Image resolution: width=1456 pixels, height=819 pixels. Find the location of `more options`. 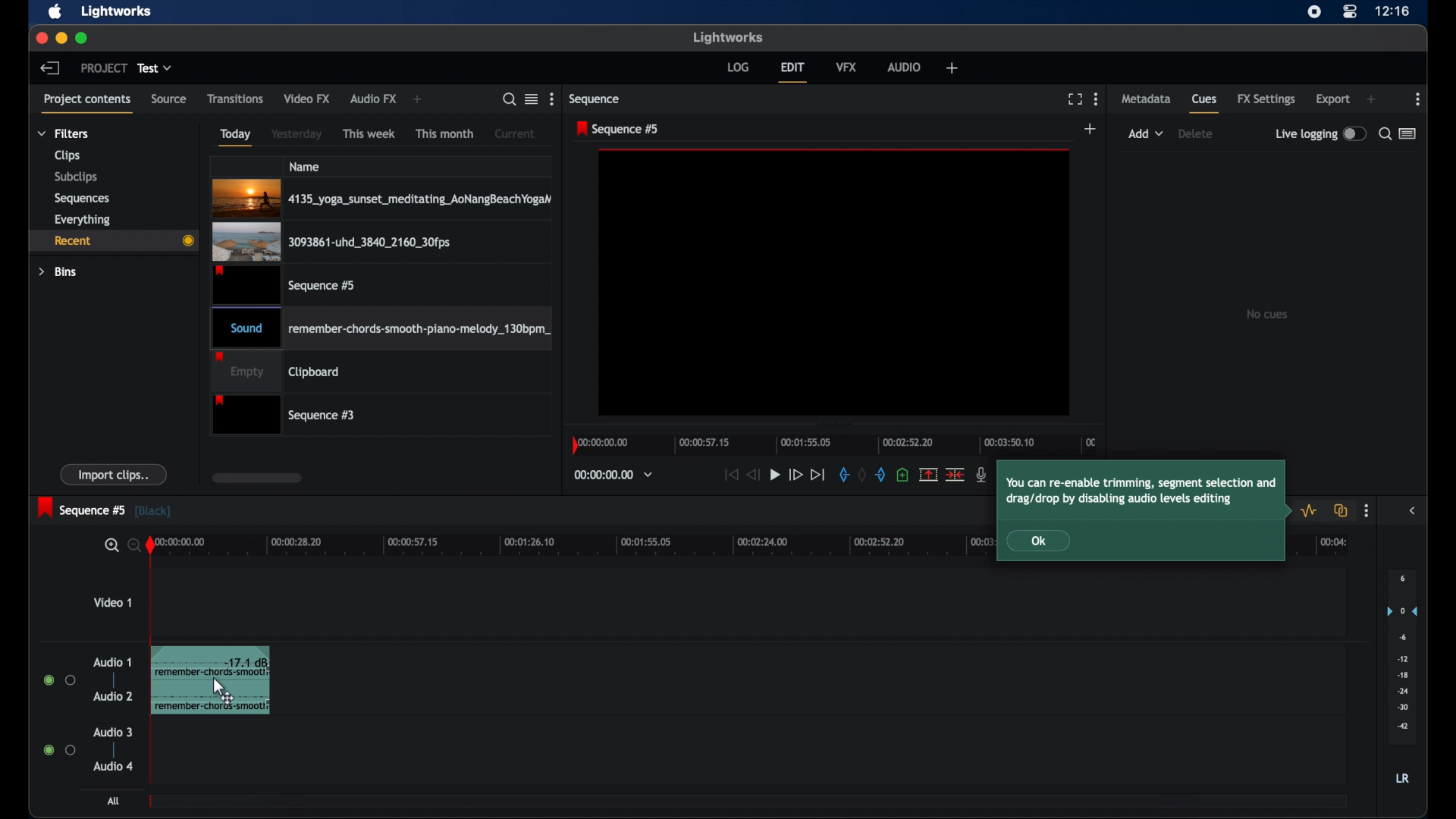

more options is located at coordinates (1419, 99).